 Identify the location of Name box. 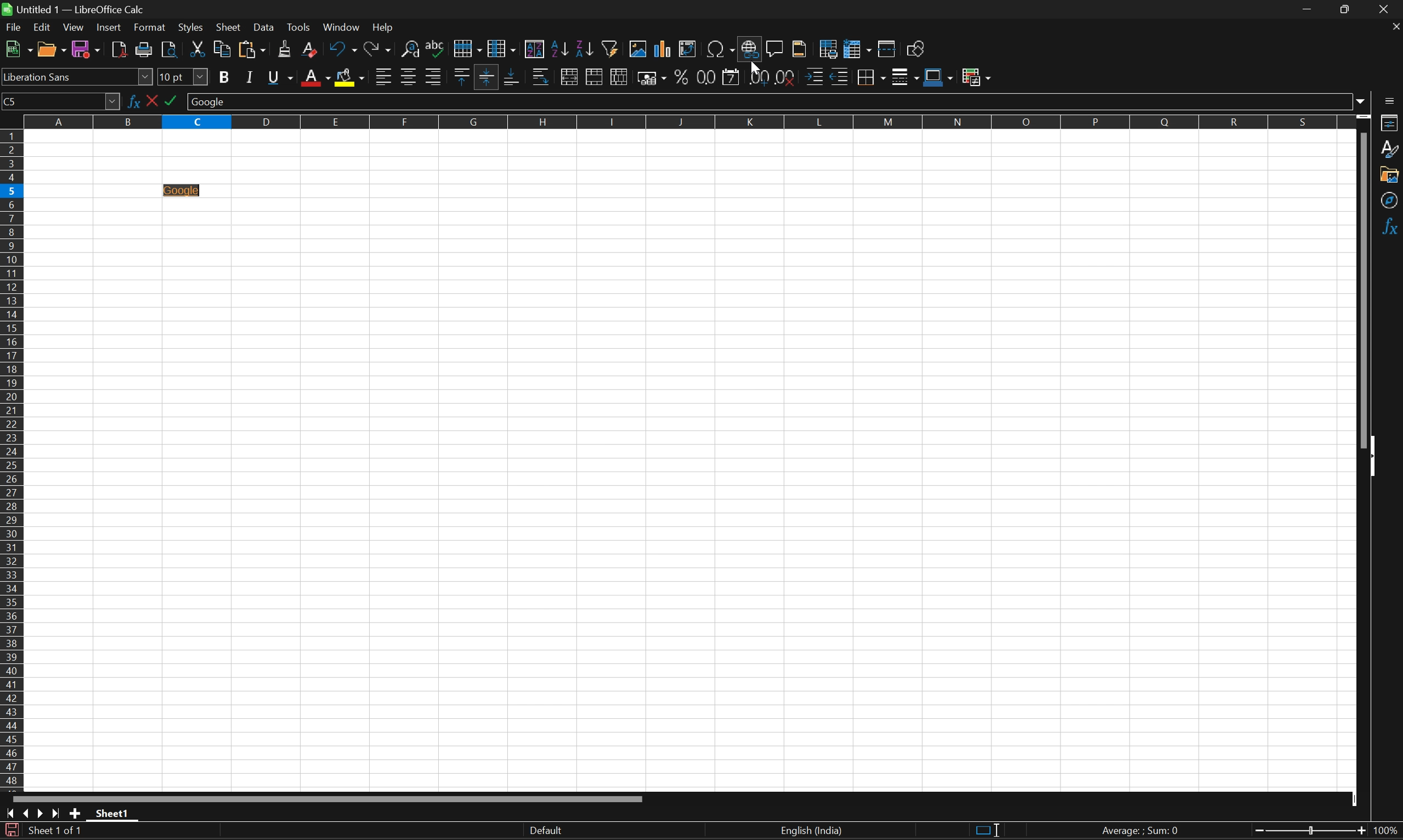
(60, 102).